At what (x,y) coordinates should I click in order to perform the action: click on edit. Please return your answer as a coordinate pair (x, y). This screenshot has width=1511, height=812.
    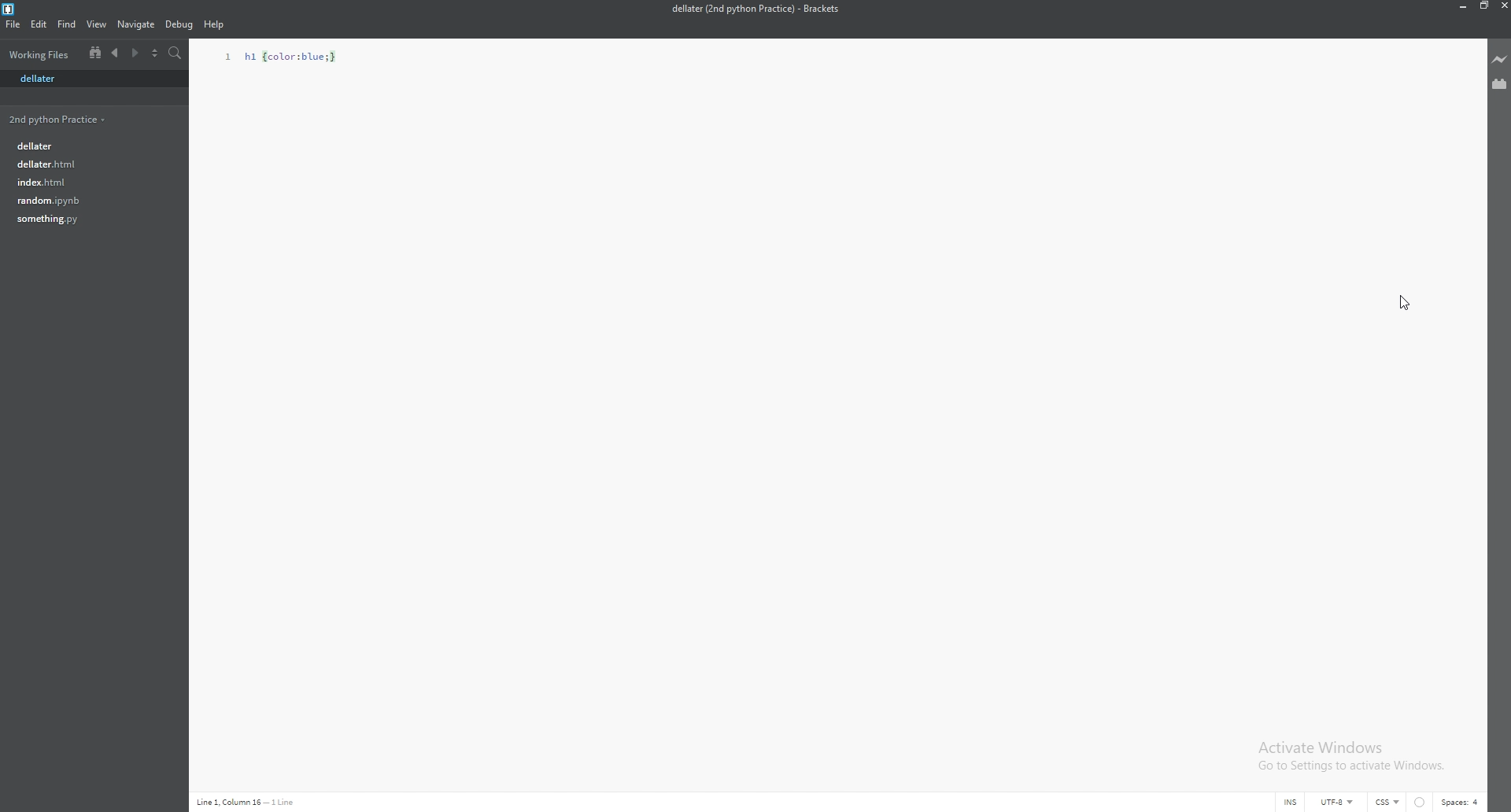
    Looking at the image, I should click on (39, 24).